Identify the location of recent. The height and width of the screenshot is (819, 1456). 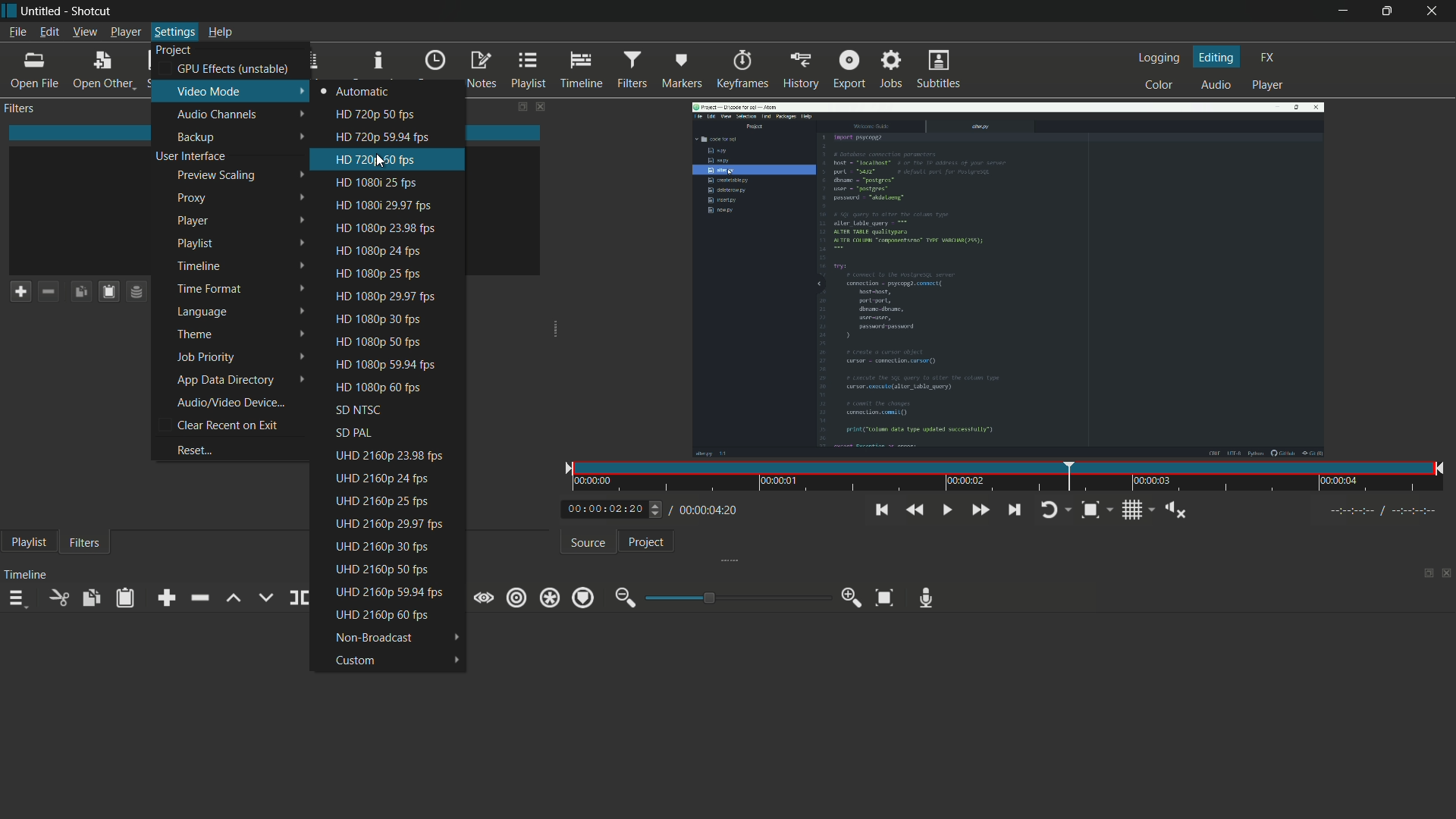
(435, 64).